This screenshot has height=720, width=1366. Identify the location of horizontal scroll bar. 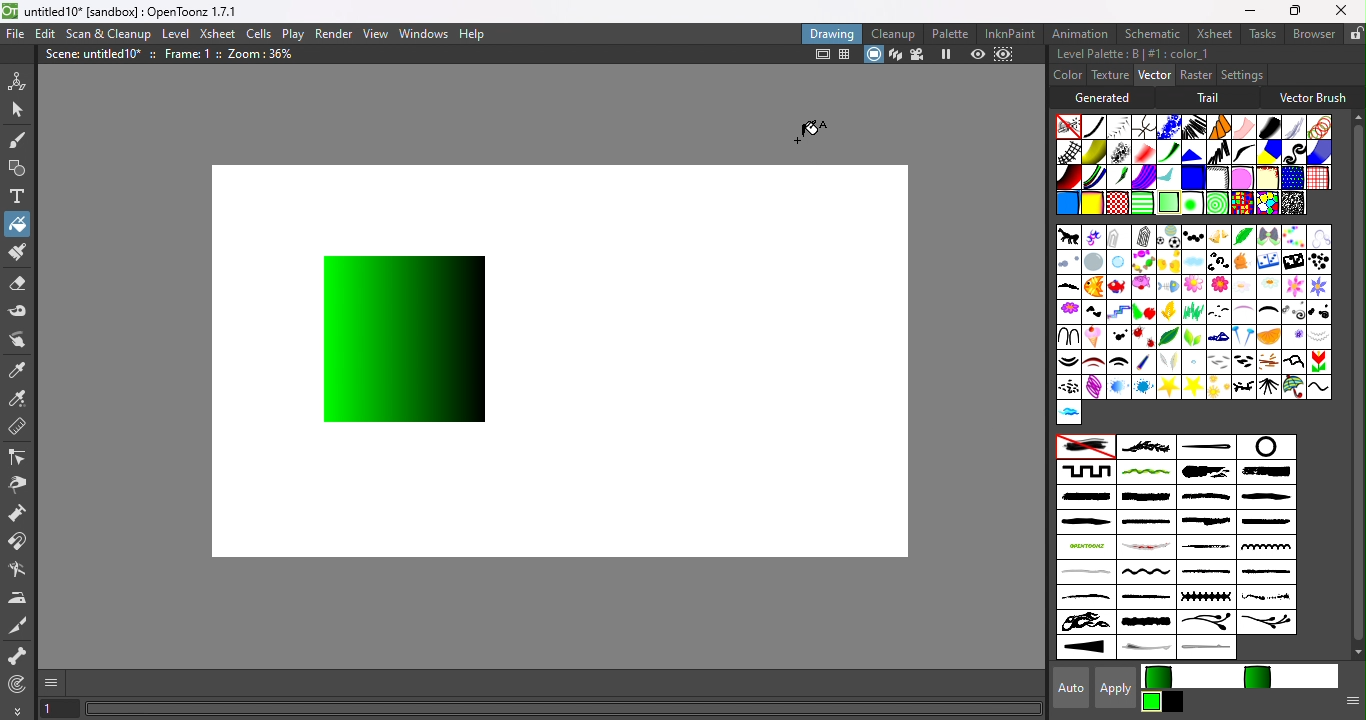
(564, 709).